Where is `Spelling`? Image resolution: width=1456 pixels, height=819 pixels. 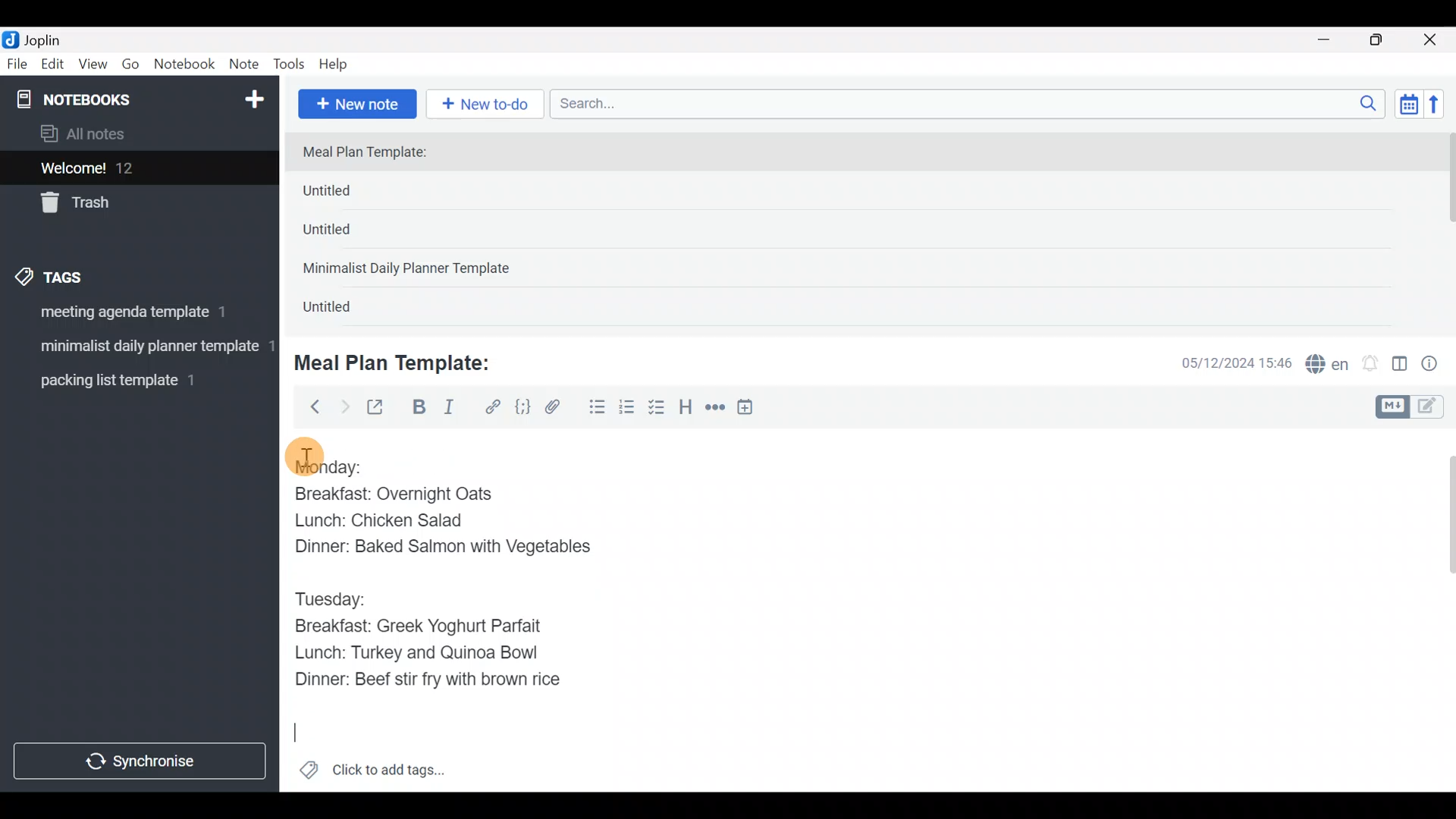 Spelling is located at coordinates (1328, 366).